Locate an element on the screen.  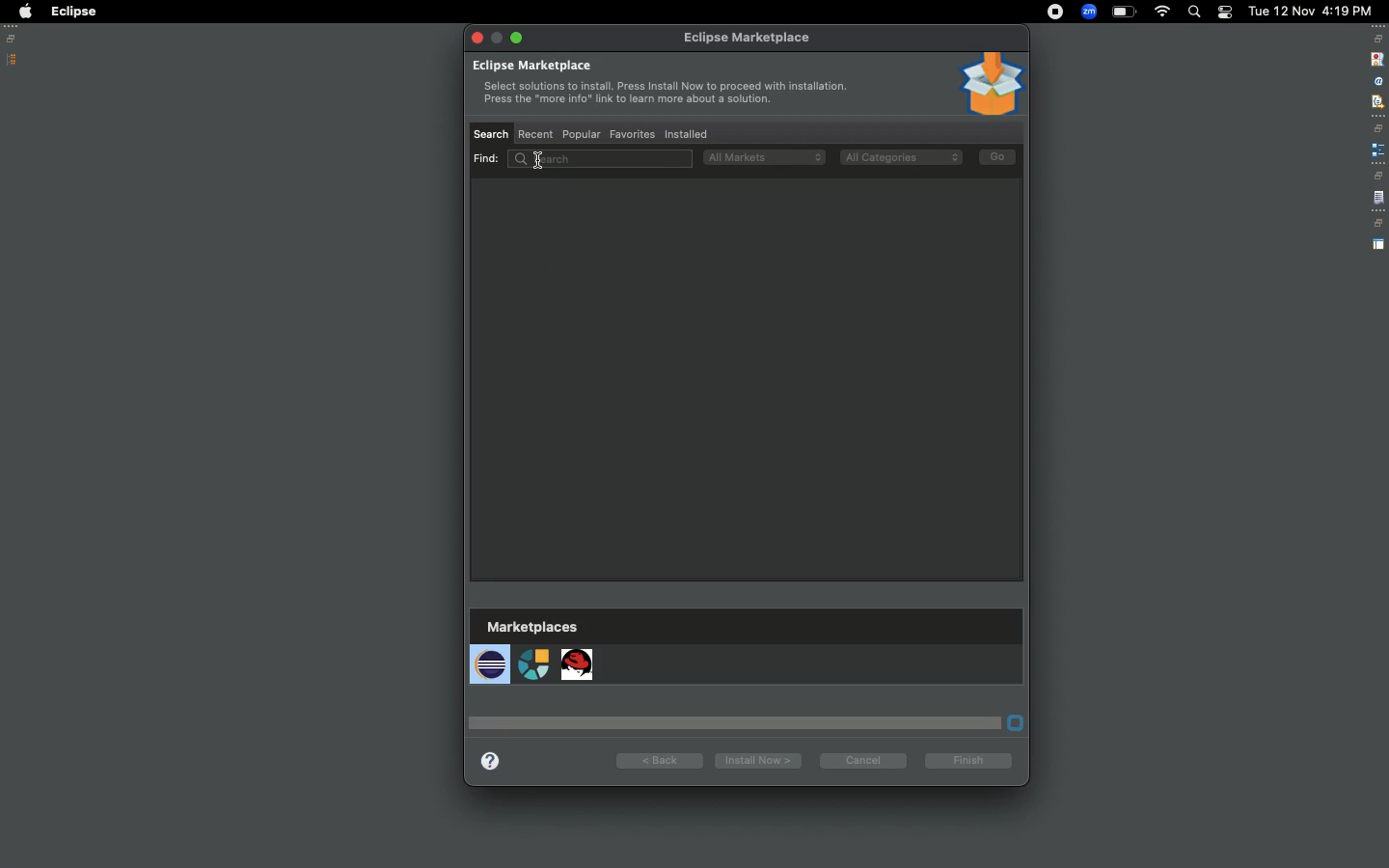
perspective is located at coordinates (1378, 245).